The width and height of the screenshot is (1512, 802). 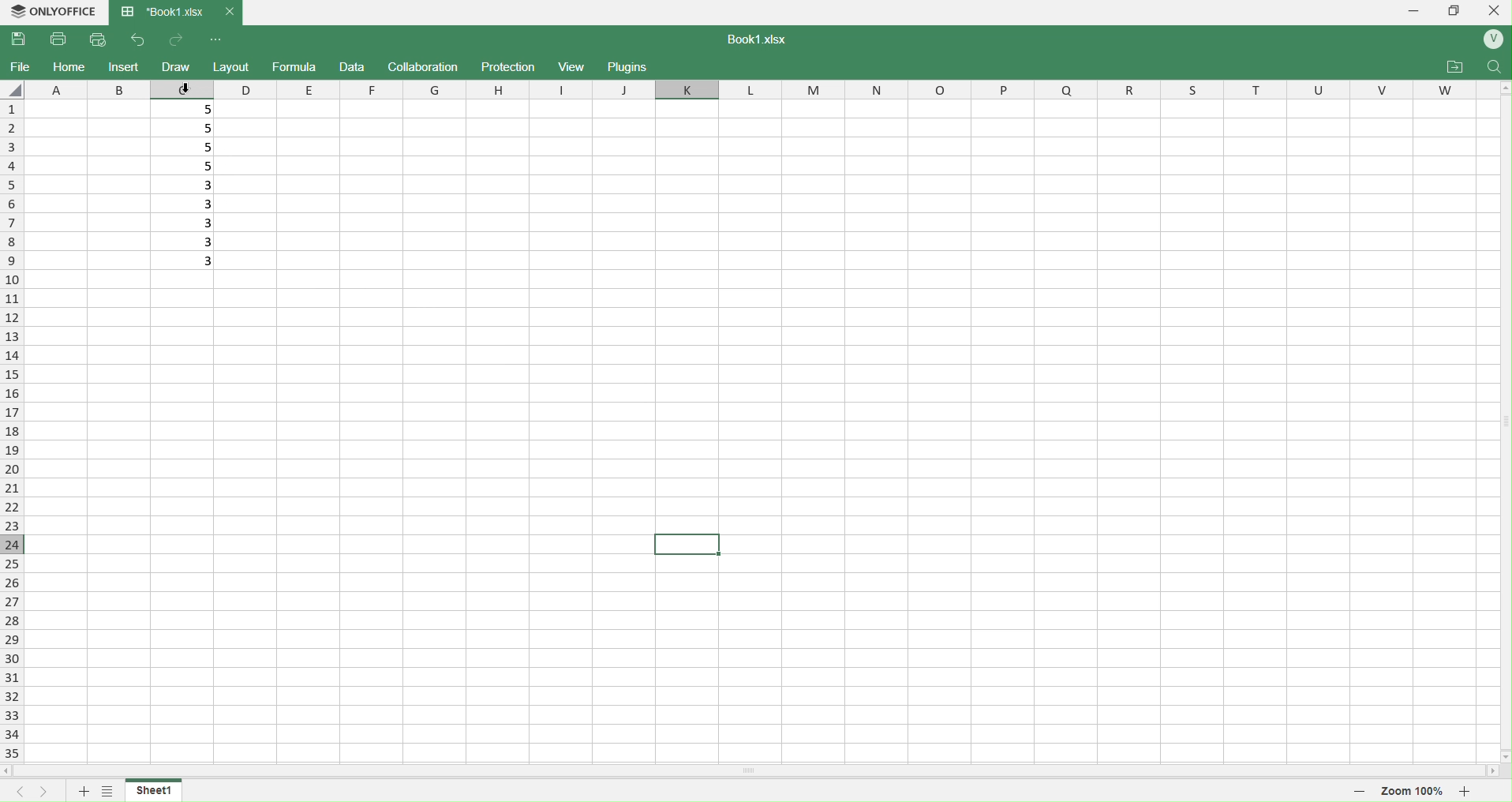 I want to click on Print File, so click(x=61, y=40).